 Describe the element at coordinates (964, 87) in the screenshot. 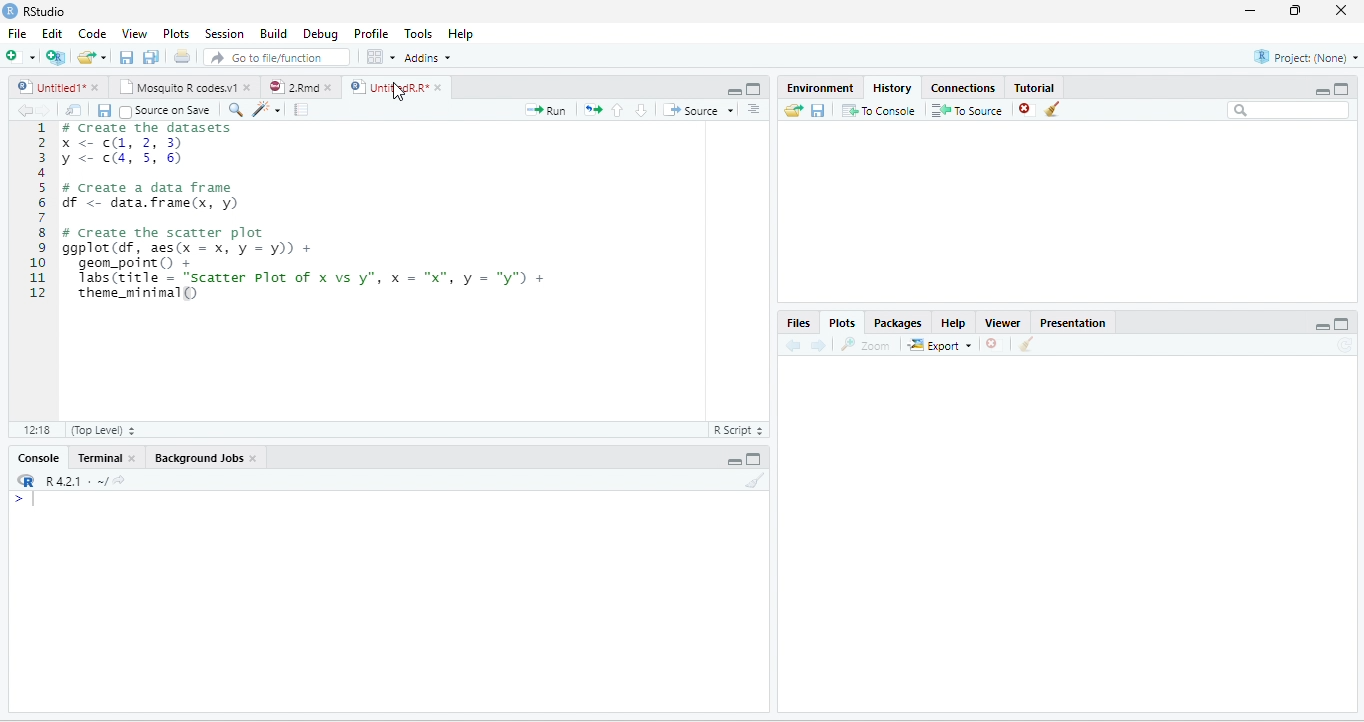

I see `Connections` at that location.